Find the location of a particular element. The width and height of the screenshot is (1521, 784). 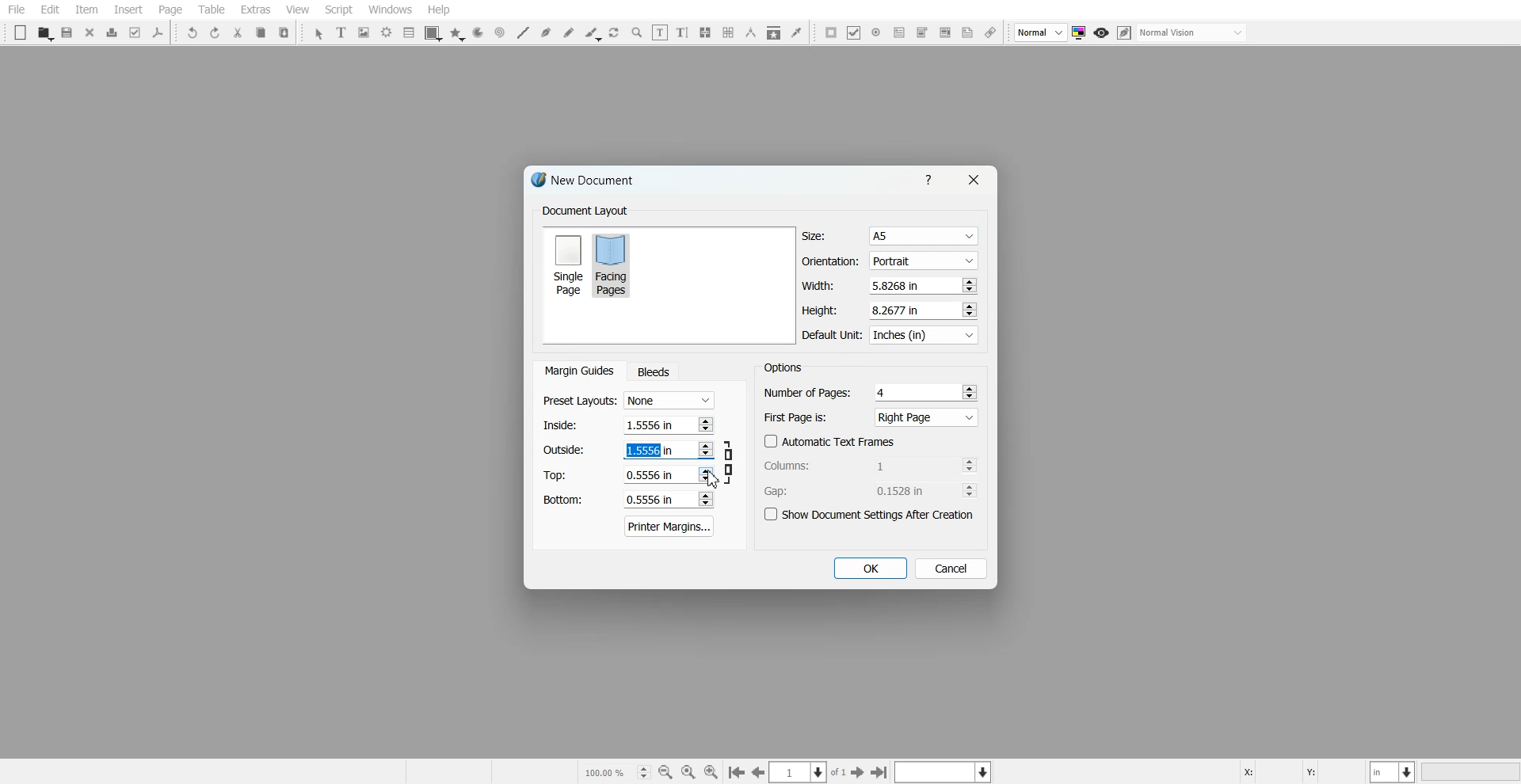

5.8268 in is located at coordinates (898, 285).